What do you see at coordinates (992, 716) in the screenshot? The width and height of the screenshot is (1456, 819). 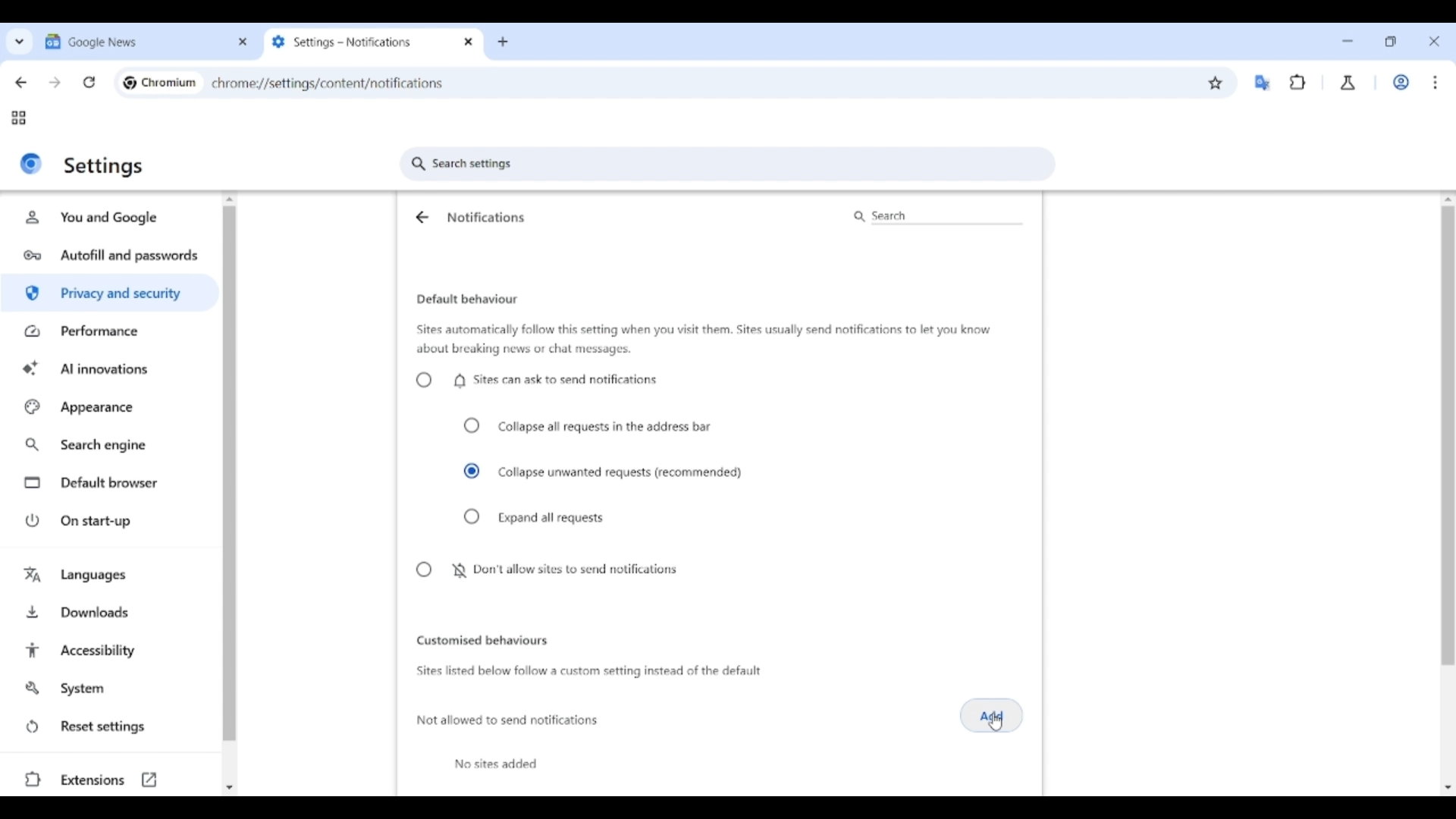 I see `Click to add sites not allowed to send notifications` at bounding box center [992, 716].